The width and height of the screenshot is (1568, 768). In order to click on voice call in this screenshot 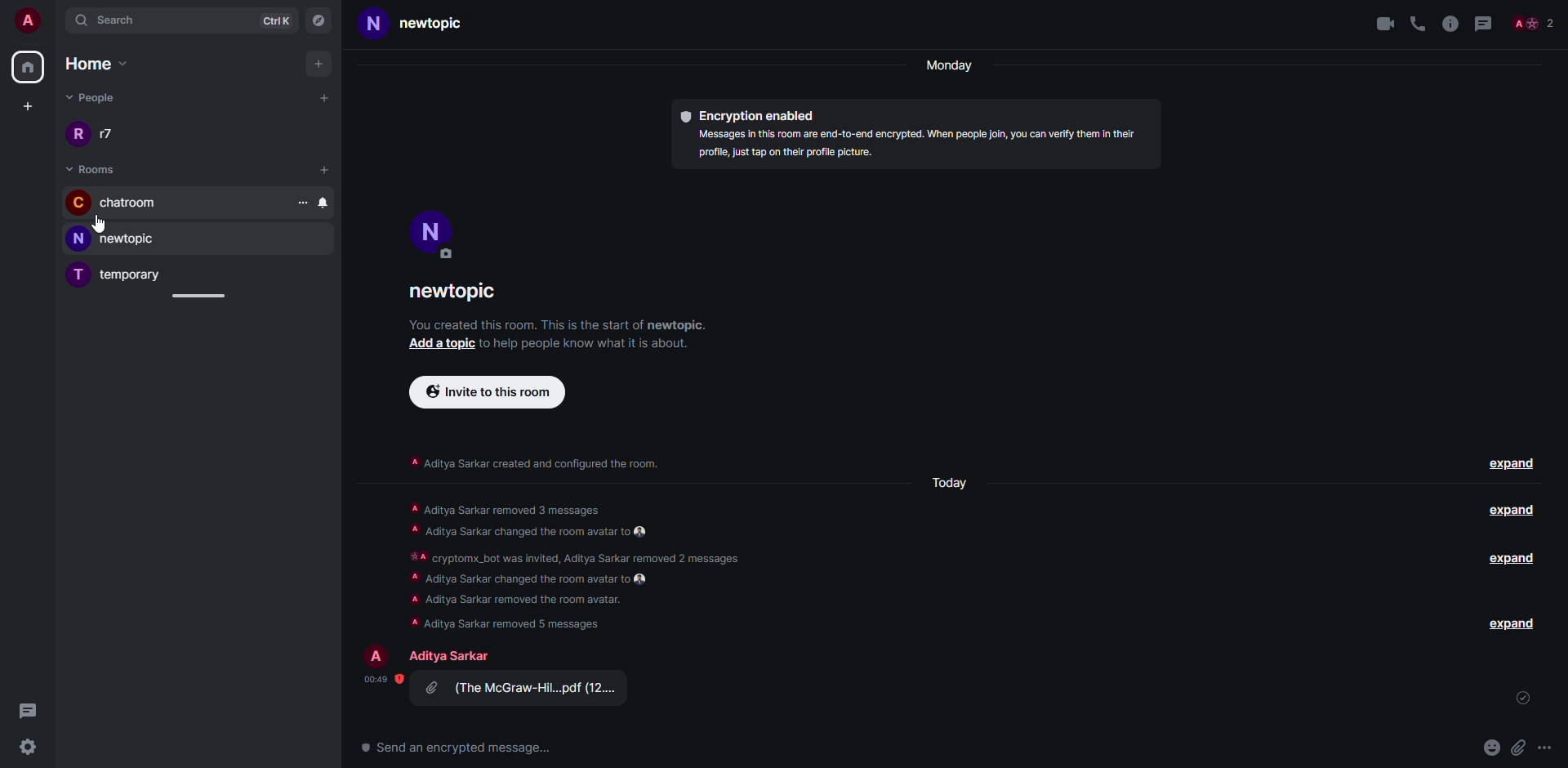, I will do `click(1418, 23)`.